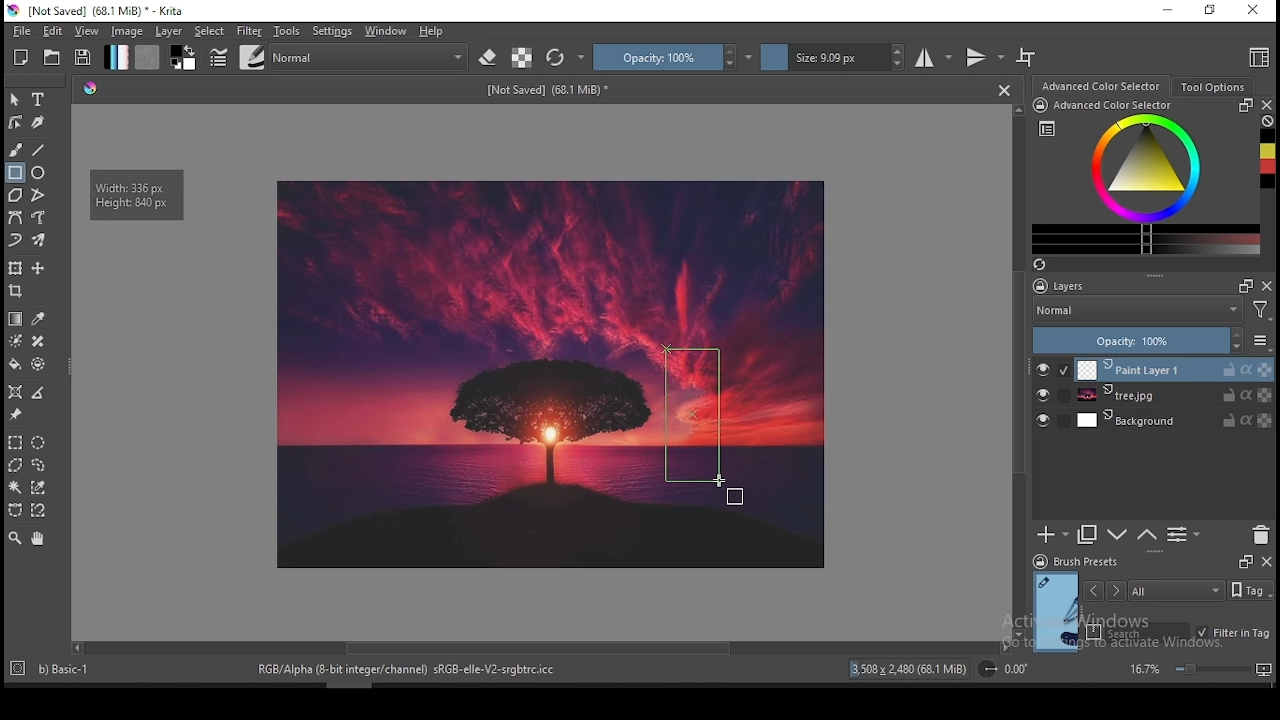  What do you see at coordinates (1017, 372) in the screenshot?
I see `Scroll Bar` at bounding box center [1017, 372].